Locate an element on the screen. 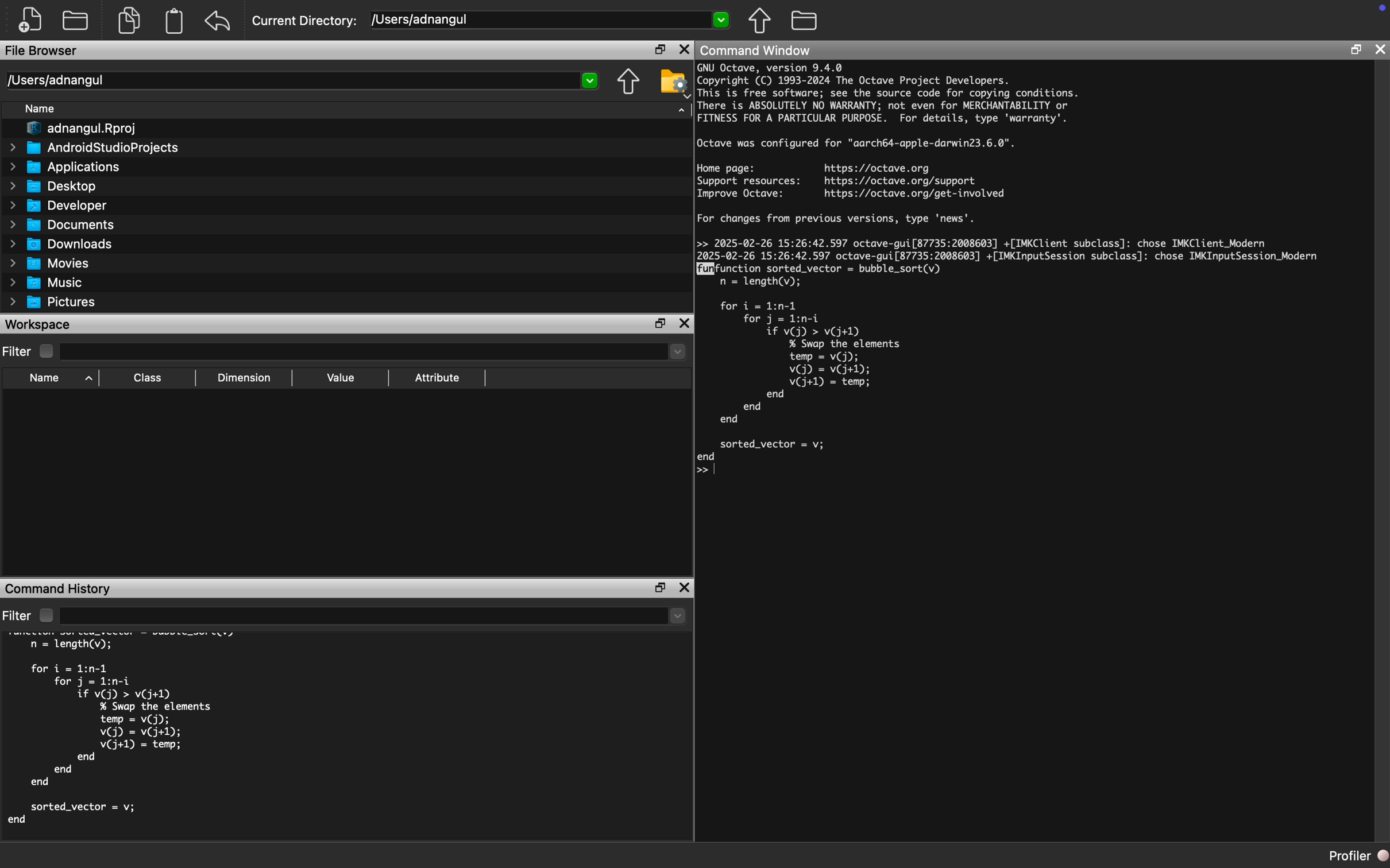  Developer is located at coordinates (57, 205).